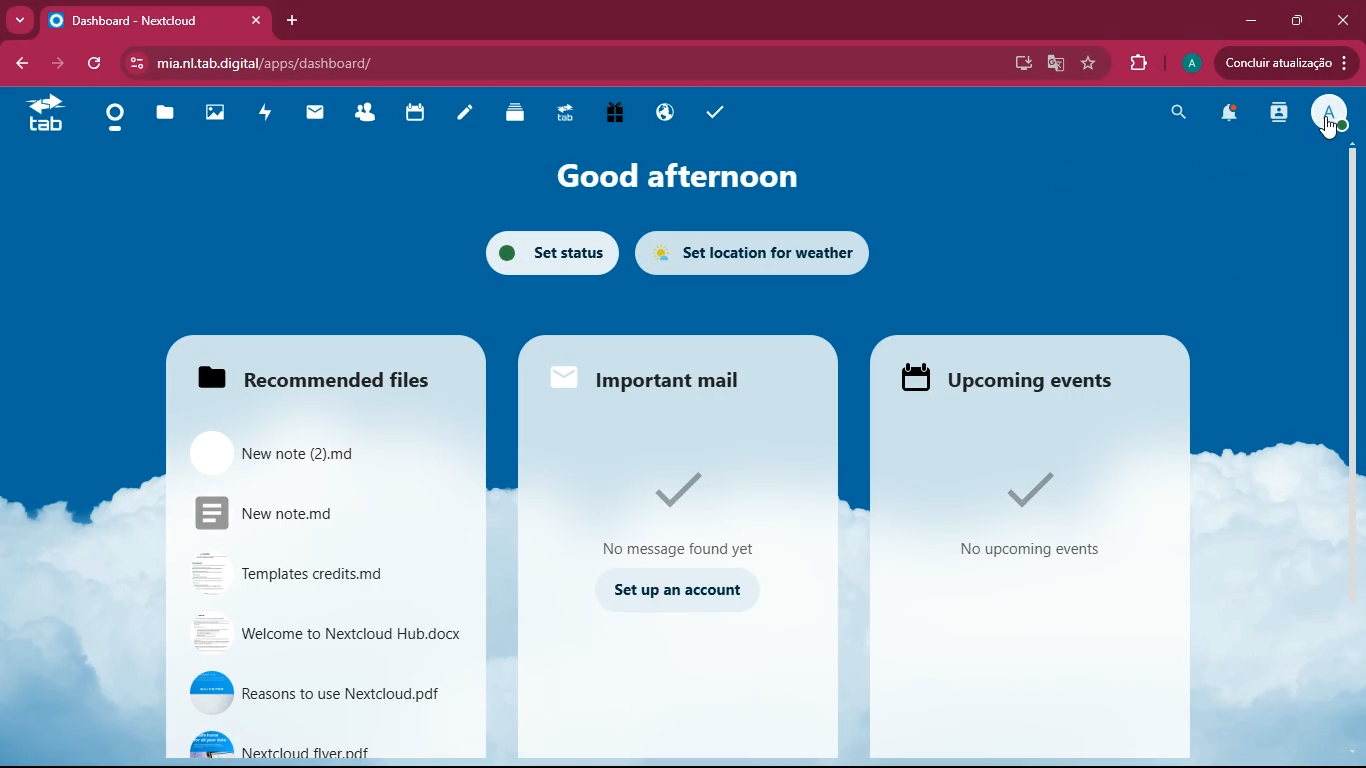  What do you see at coordinates (1250, 19) in the screenshot?
I see `minimize` at bounding box center [1250, 19].